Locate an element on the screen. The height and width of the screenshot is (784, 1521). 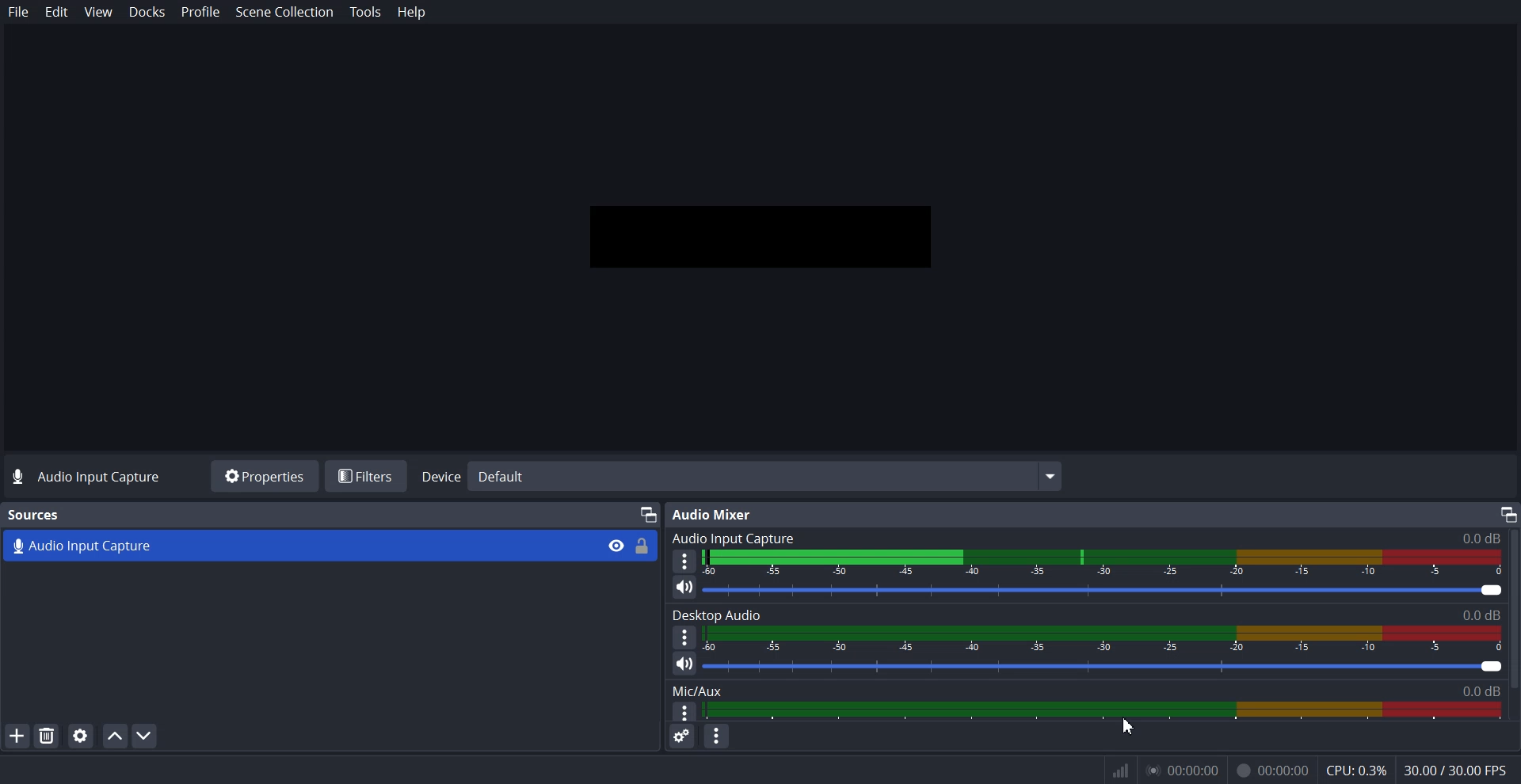
Mute is located at coordinates (684, 588).